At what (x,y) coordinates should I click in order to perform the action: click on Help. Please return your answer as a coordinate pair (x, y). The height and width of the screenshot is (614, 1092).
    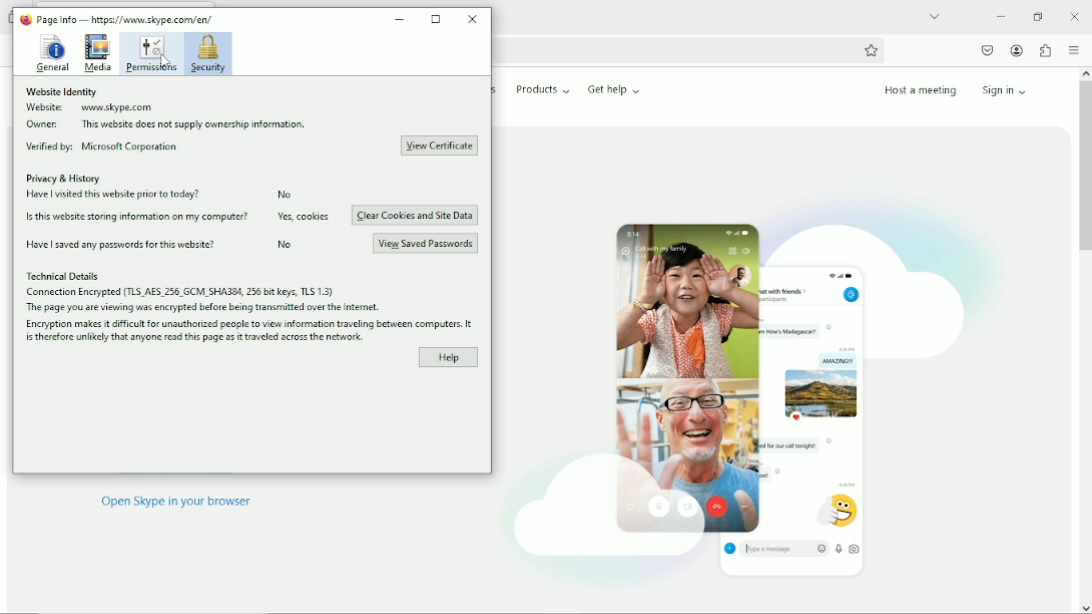
    Looking at the image, I should click on (448, 357).